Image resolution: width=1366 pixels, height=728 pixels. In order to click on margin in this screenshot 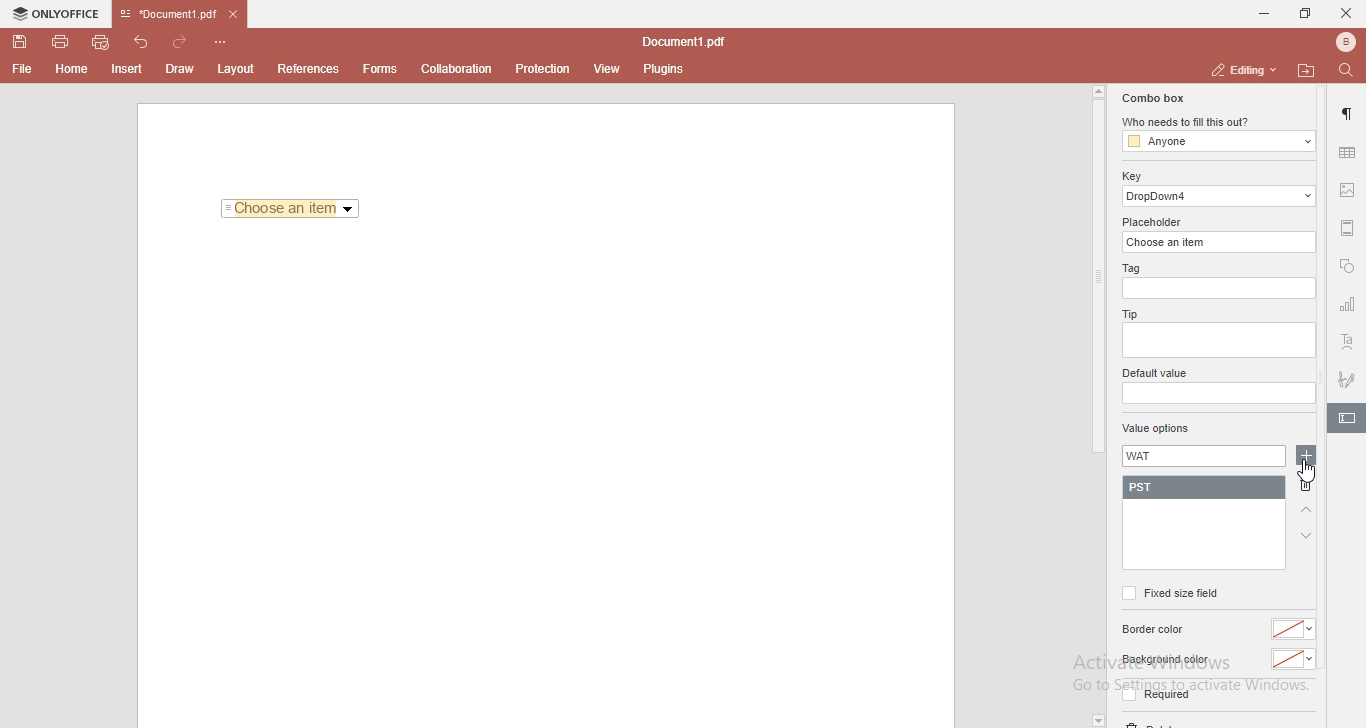, I will do `click(1348, 226)`.